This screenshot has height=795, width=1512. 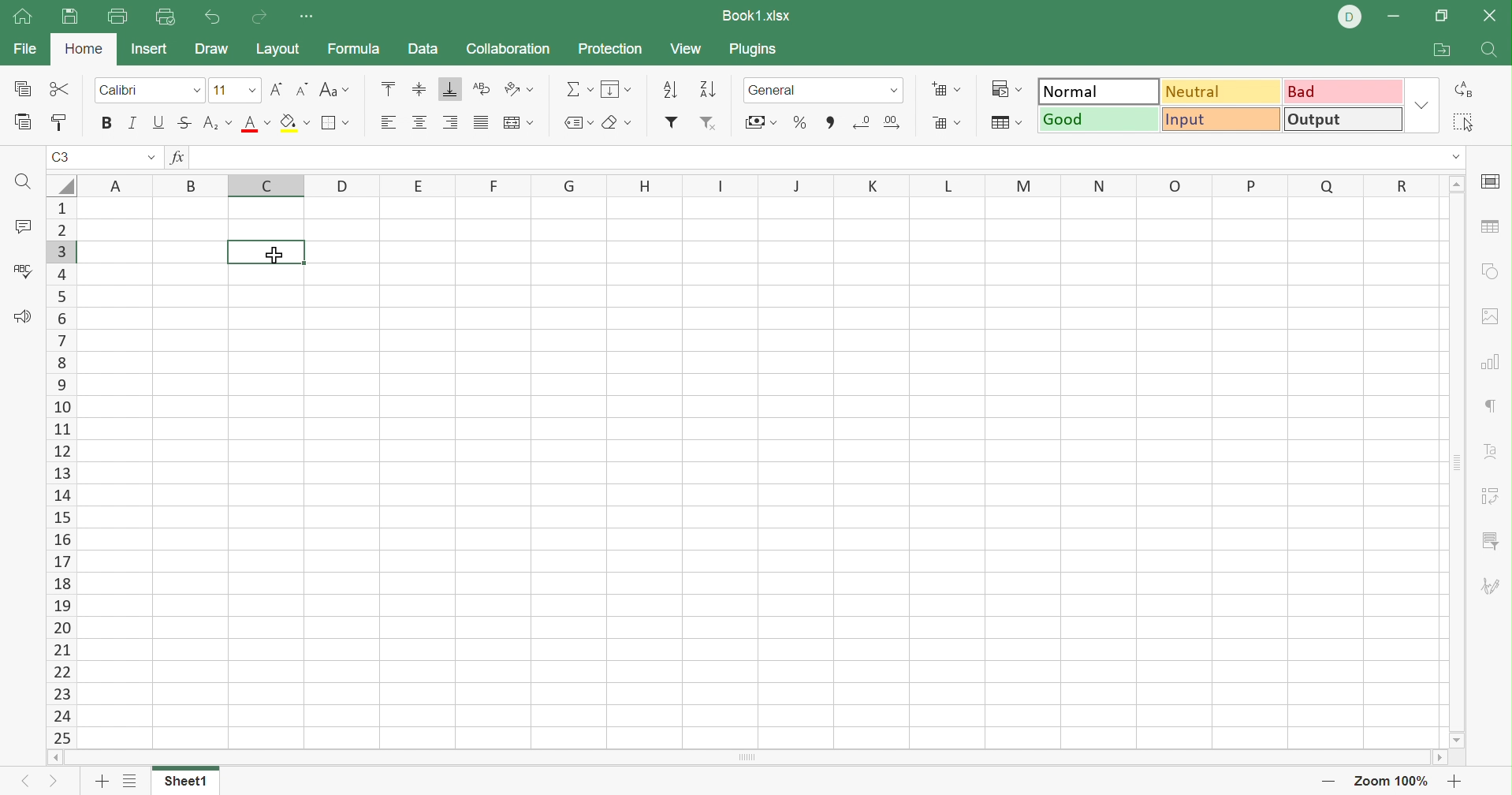 I want to click on Borders, so click(x=338, y=126).